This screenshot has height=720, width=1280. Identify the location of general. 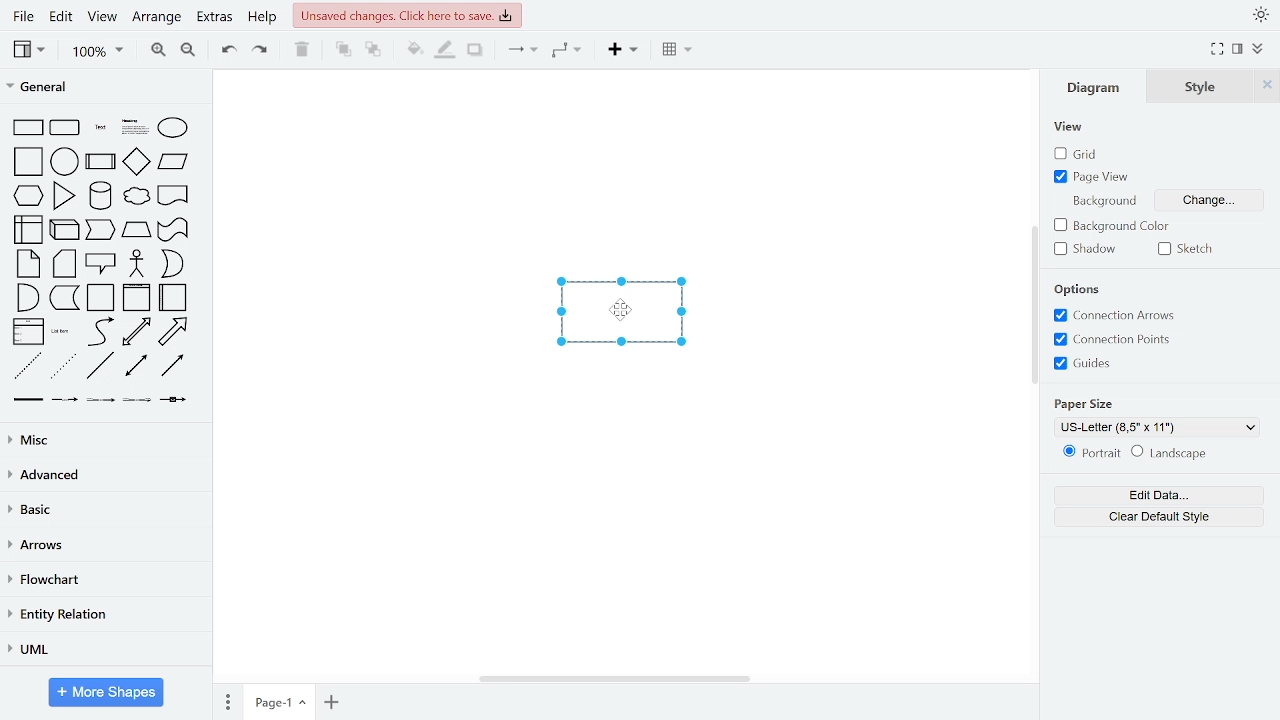
(103, 89).